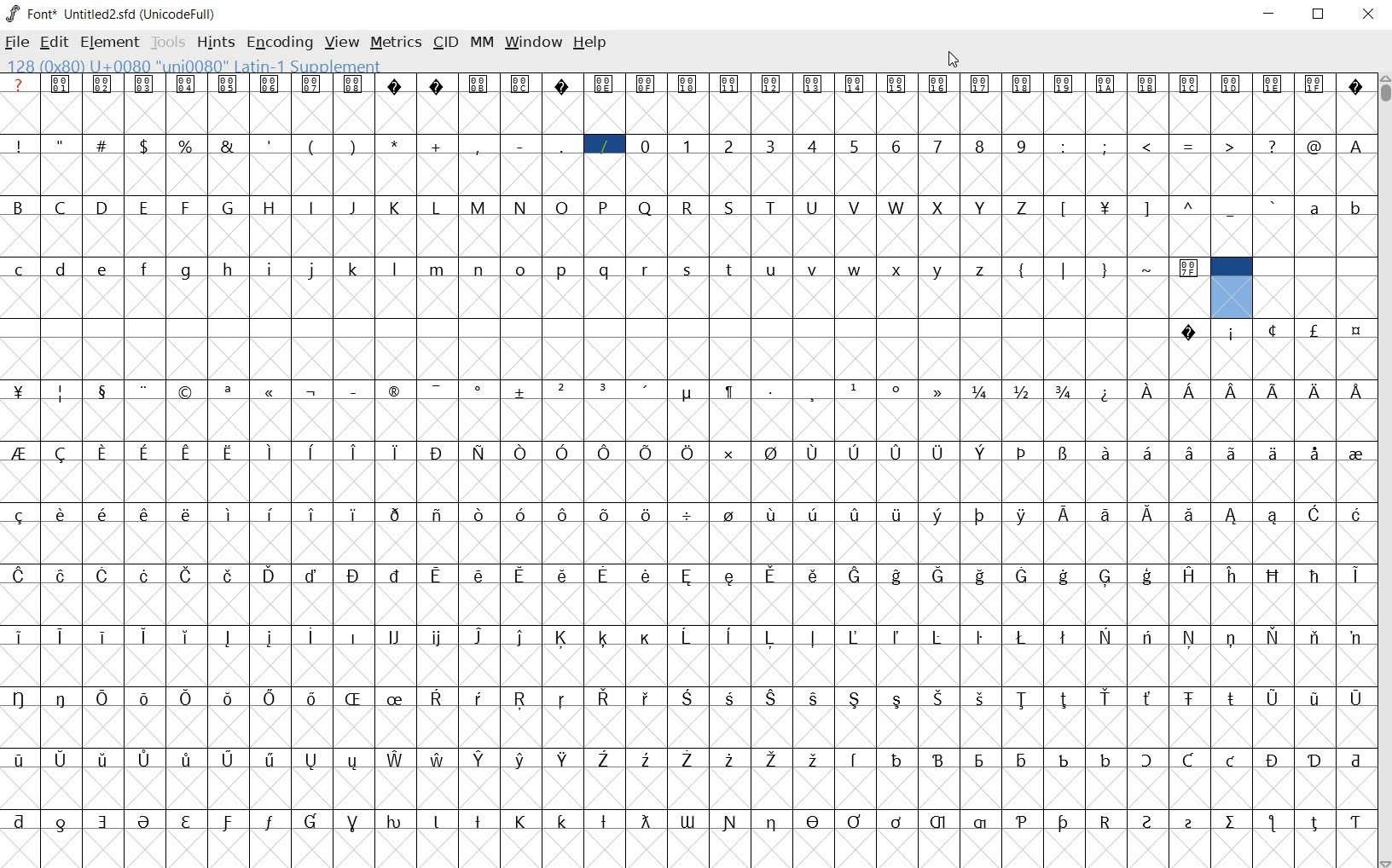  Describe the element at coordinates (815, 84) in the screenshot. I see `Symbol` at that location.